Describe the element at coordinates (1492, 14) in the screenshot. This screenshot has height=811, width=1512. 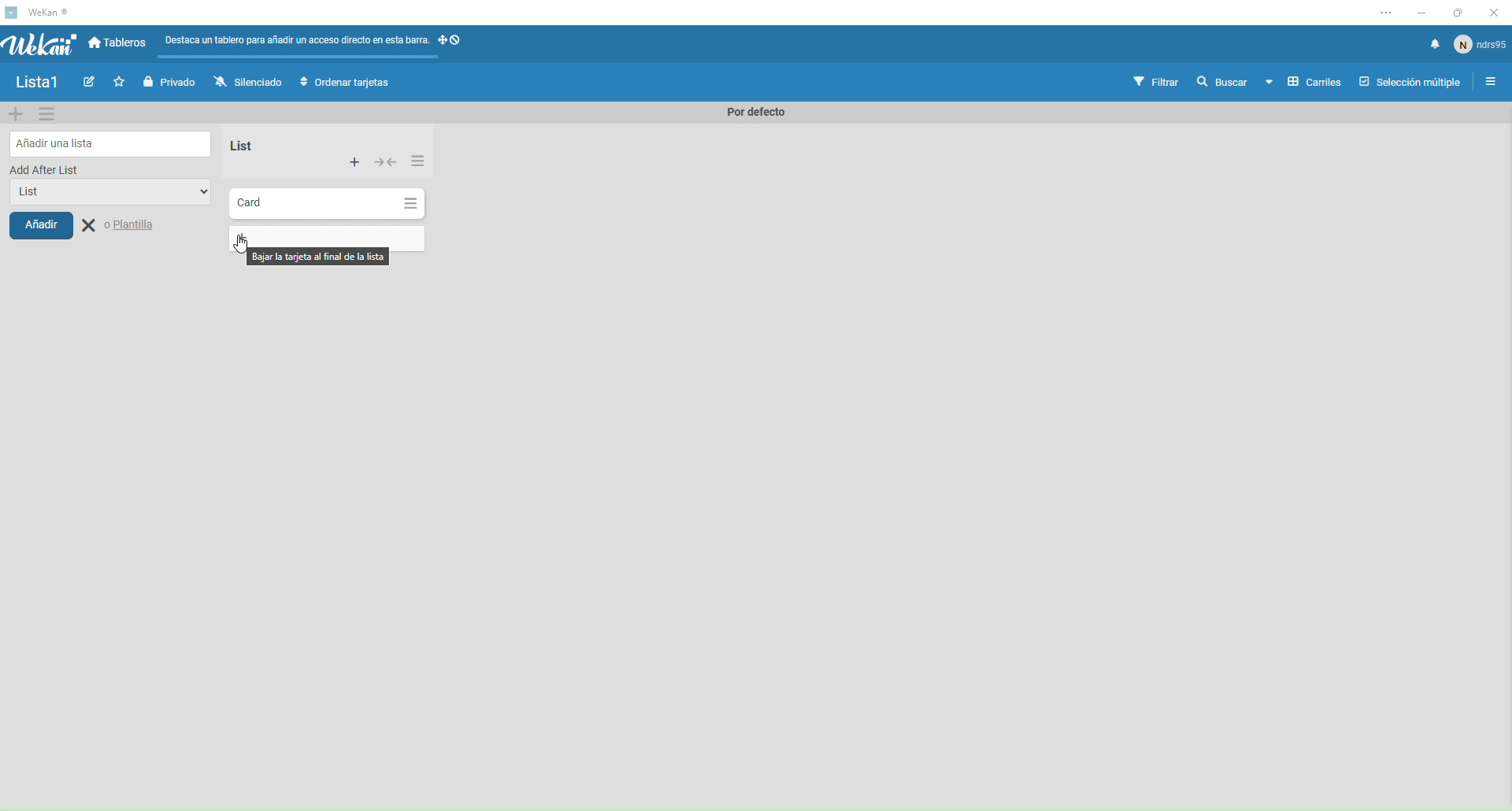
I see `close` at that location.